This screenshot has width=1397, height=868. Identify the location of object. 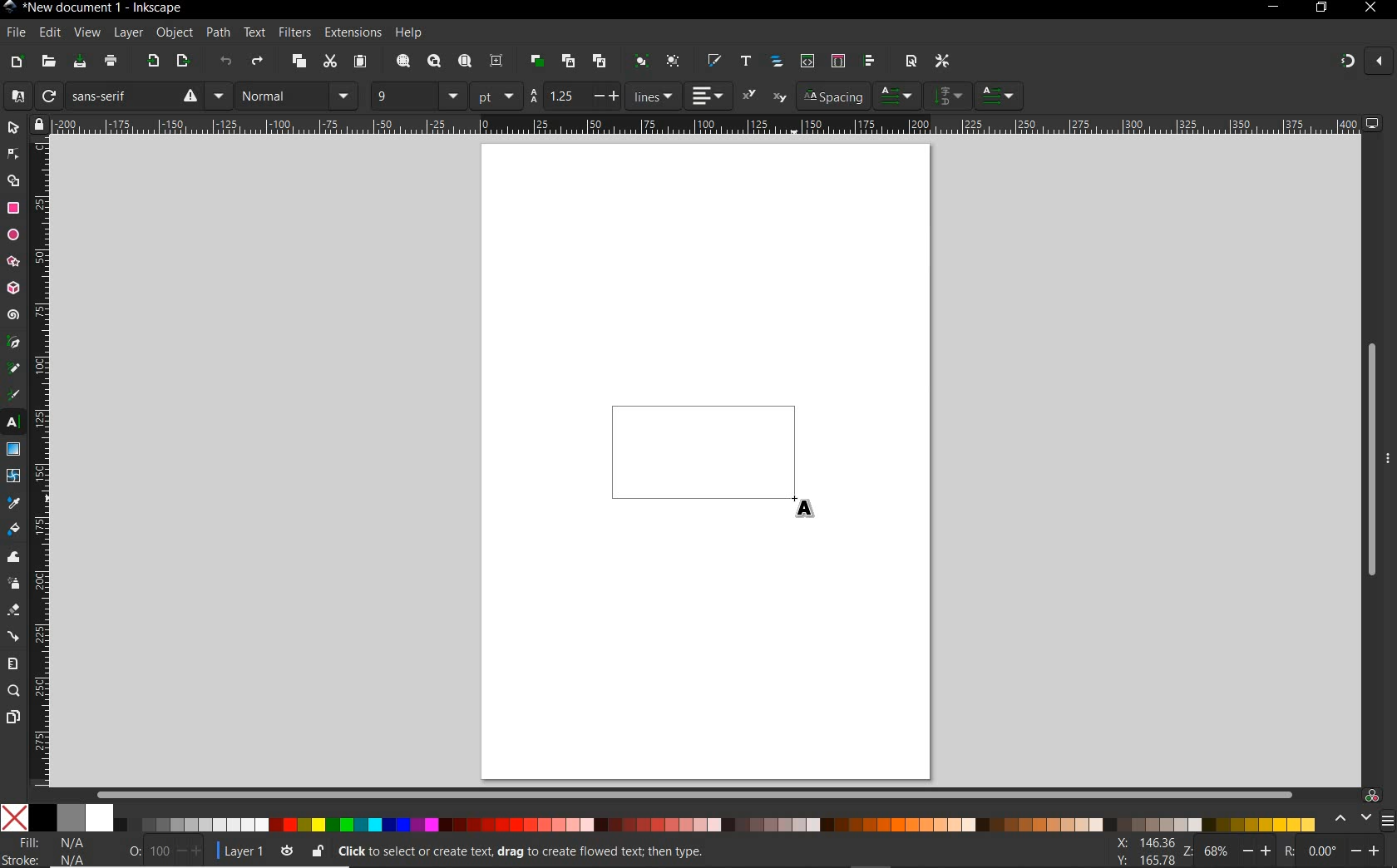
(172, 33).